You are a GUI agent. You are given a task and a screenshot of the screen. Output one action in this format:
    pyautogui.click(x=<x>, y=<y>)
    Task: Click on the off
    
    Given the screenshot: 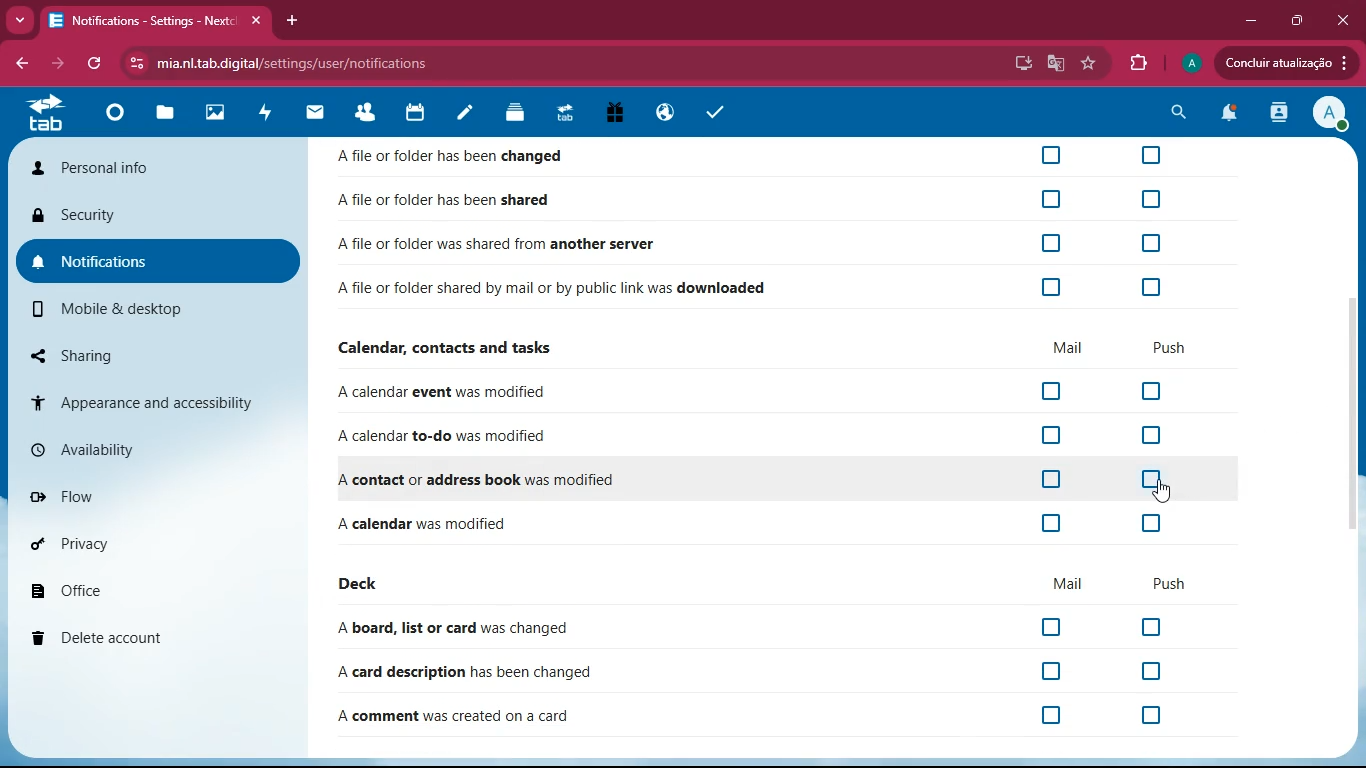 What is the action you would take?
    pyautogui.click(x=1152, y=154)
    